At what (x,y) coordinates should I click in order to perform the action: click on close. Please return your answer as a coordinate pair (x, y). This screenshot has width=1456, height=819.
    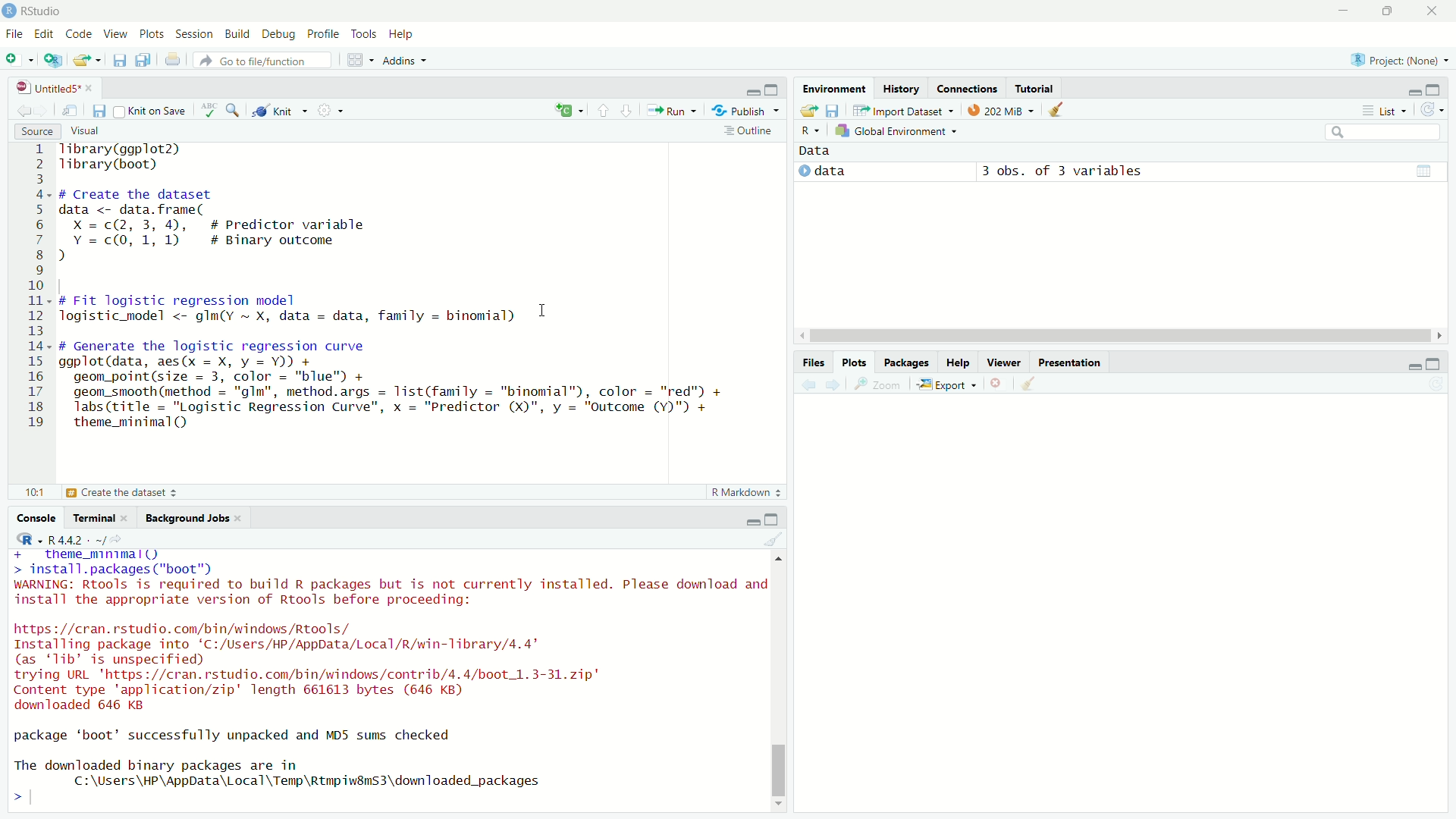
    Looking at the image, I should click on (237, 518).